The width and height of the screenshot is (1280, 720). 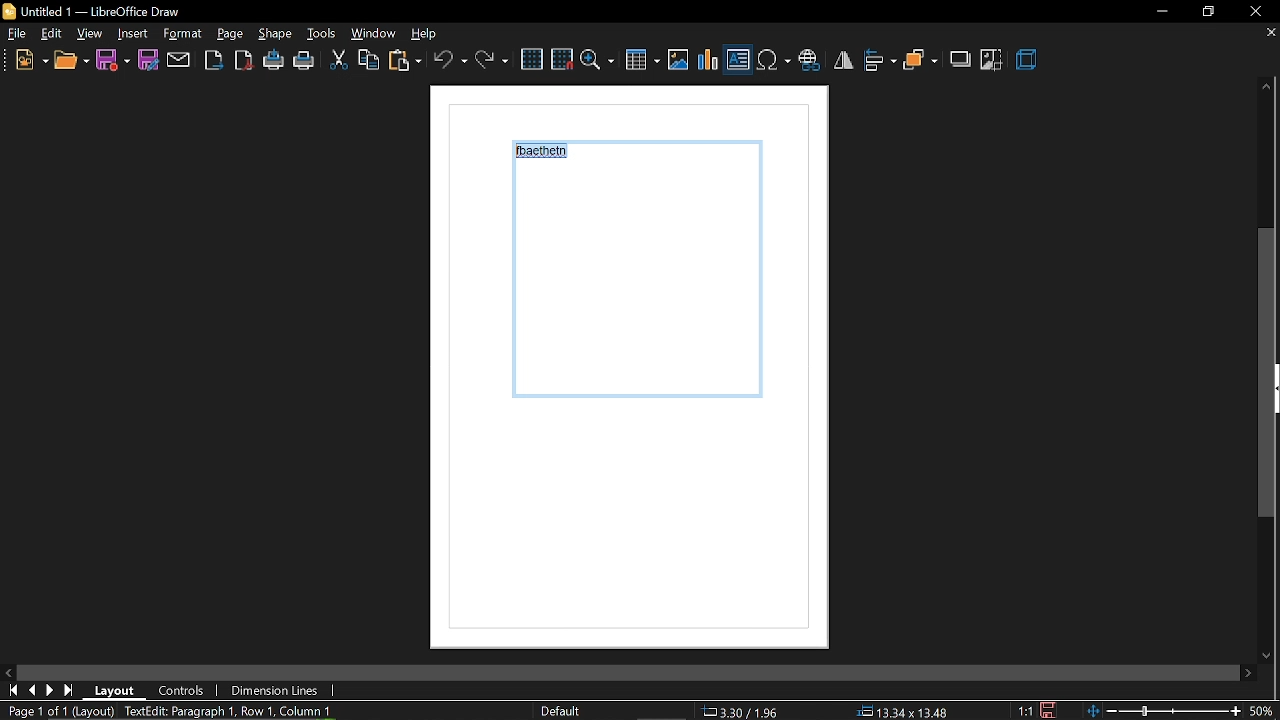 What do you see at coordinates (1250, 673) in the screenshot?
I see `move right` at bounding box center [1250, 673].